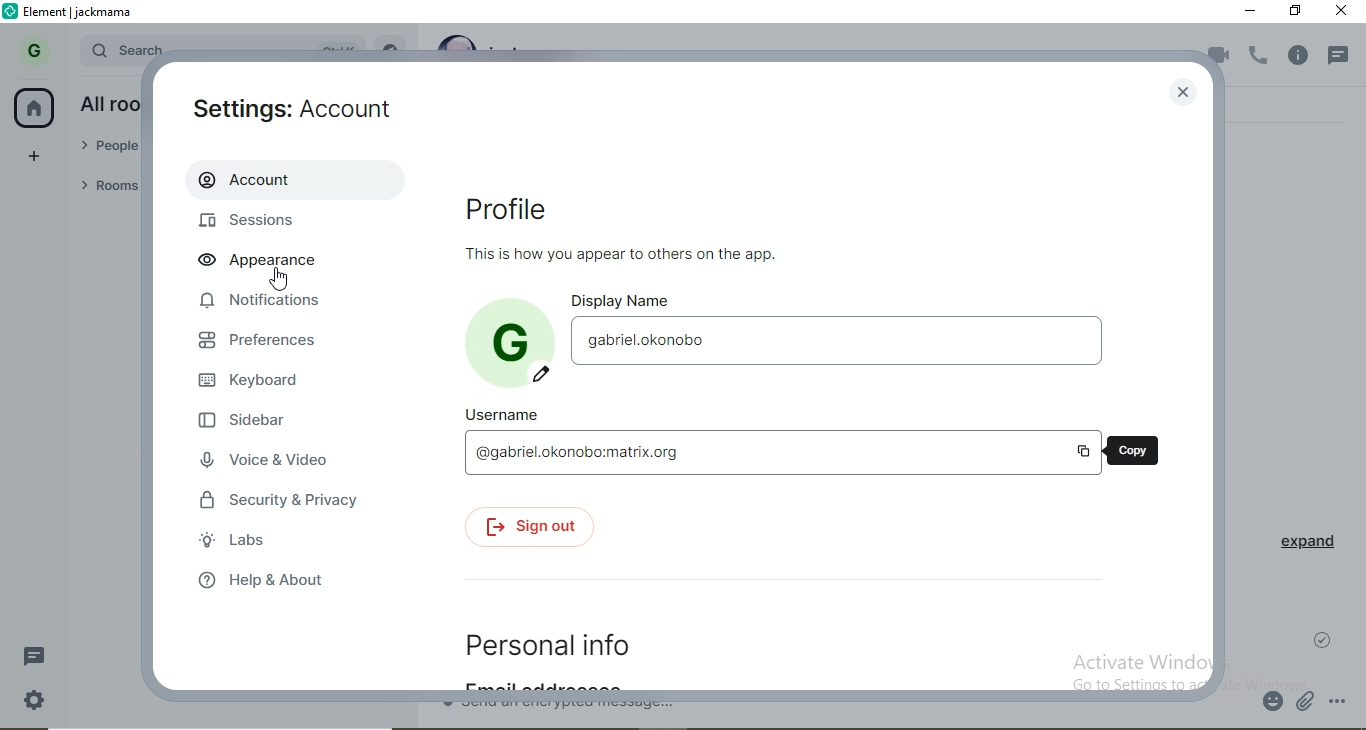 Image resolution: width=1366 pixels, height=730 pixels. Describe the element at coordinates (105, 187) in the screenshot. I see `rooms` at that location.